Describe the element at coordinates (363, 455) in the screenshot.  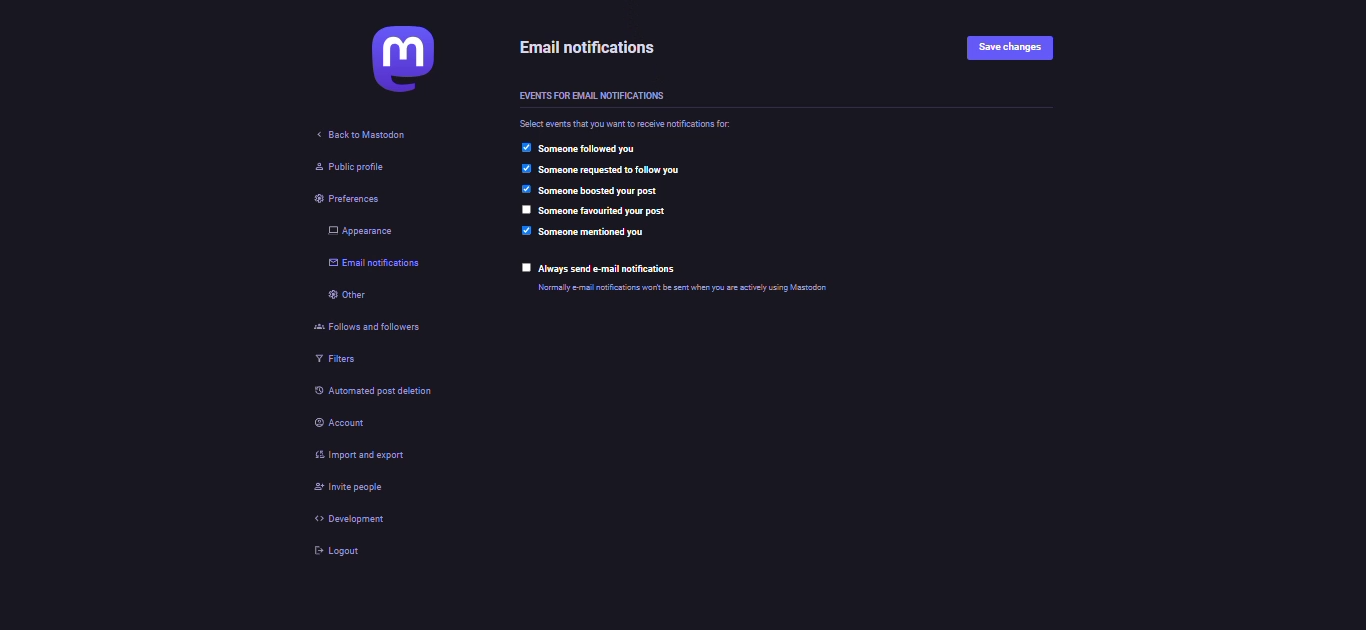
I see `import & export` at that location.